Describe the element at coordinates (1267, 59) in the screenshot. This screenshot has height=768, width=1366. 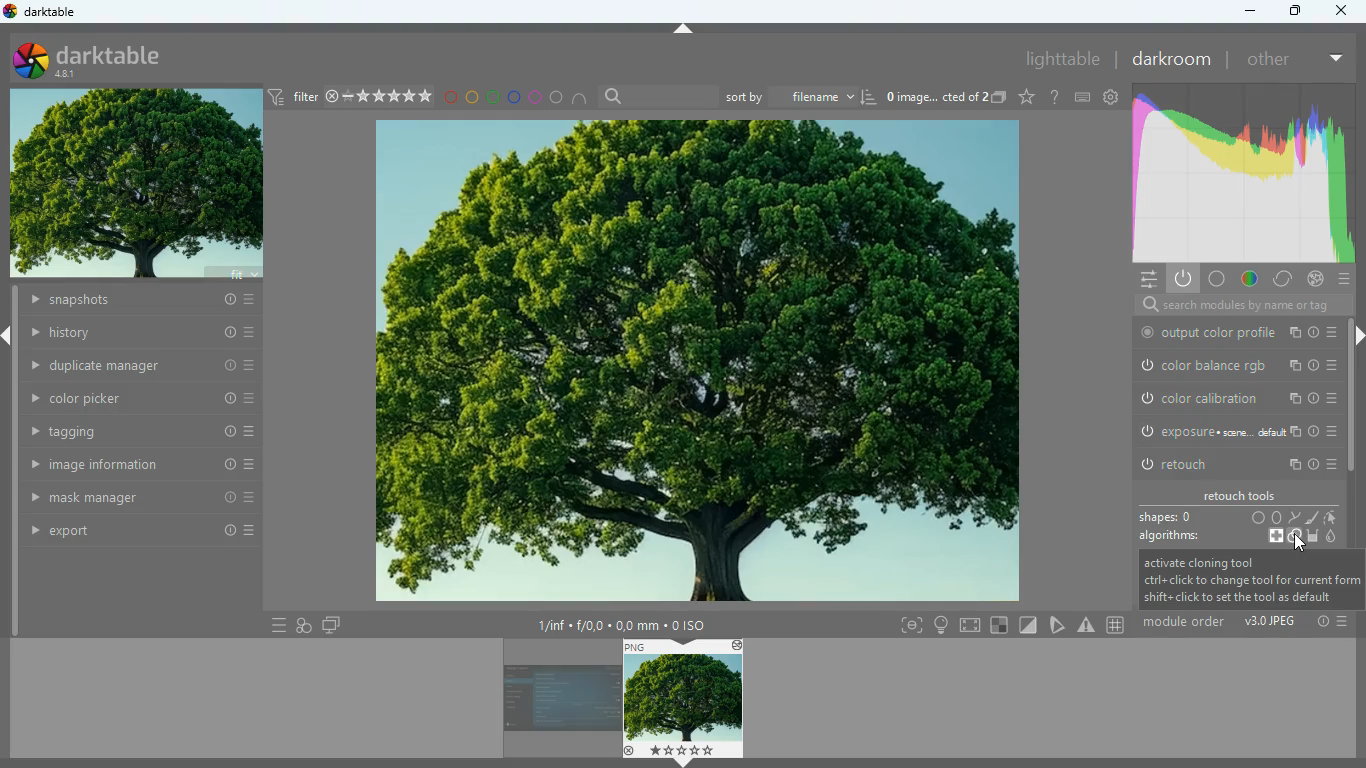
I see `other` at that location.